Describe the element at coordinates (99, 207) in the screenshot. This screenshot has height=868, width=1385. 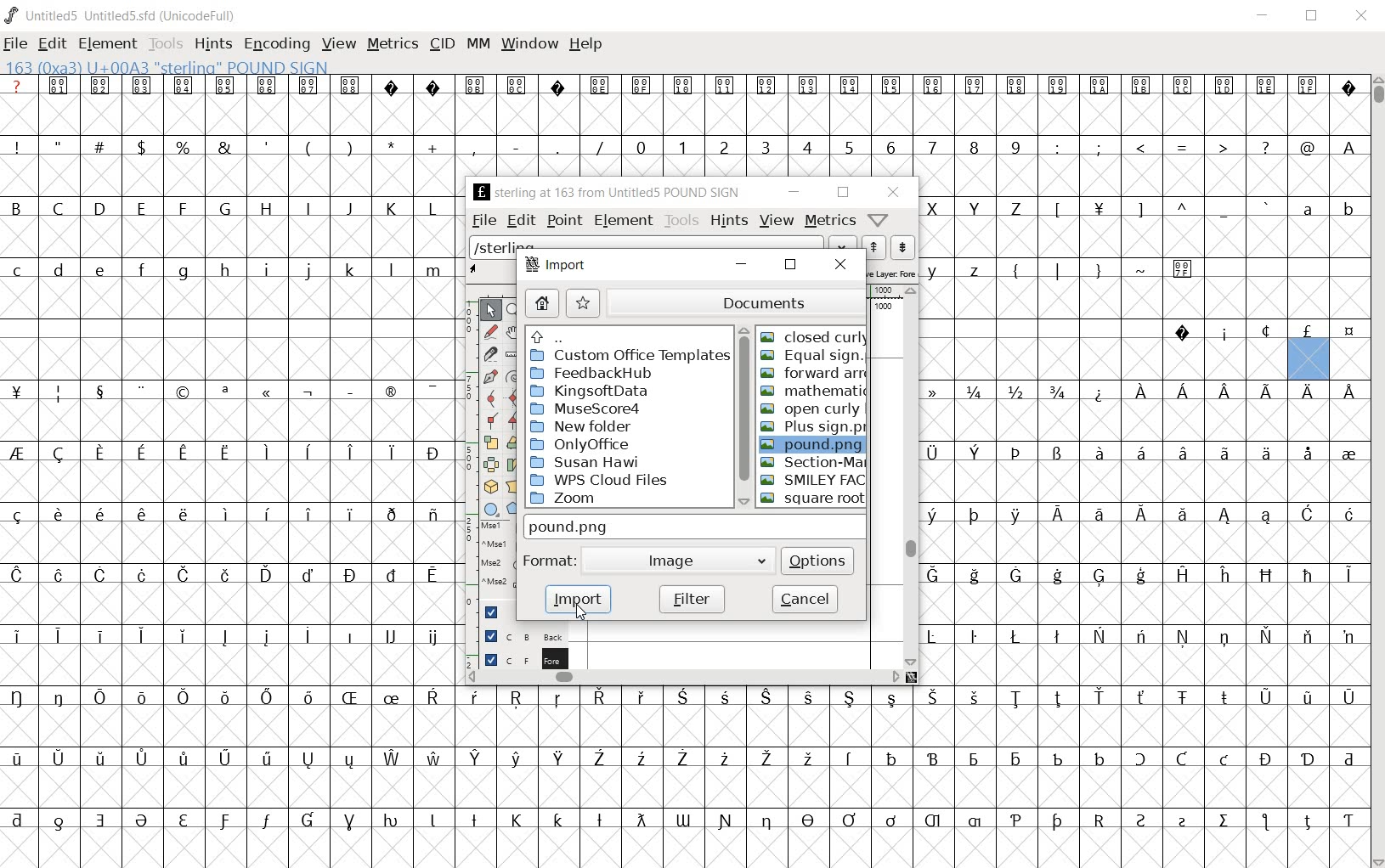
I see `D` at that location.